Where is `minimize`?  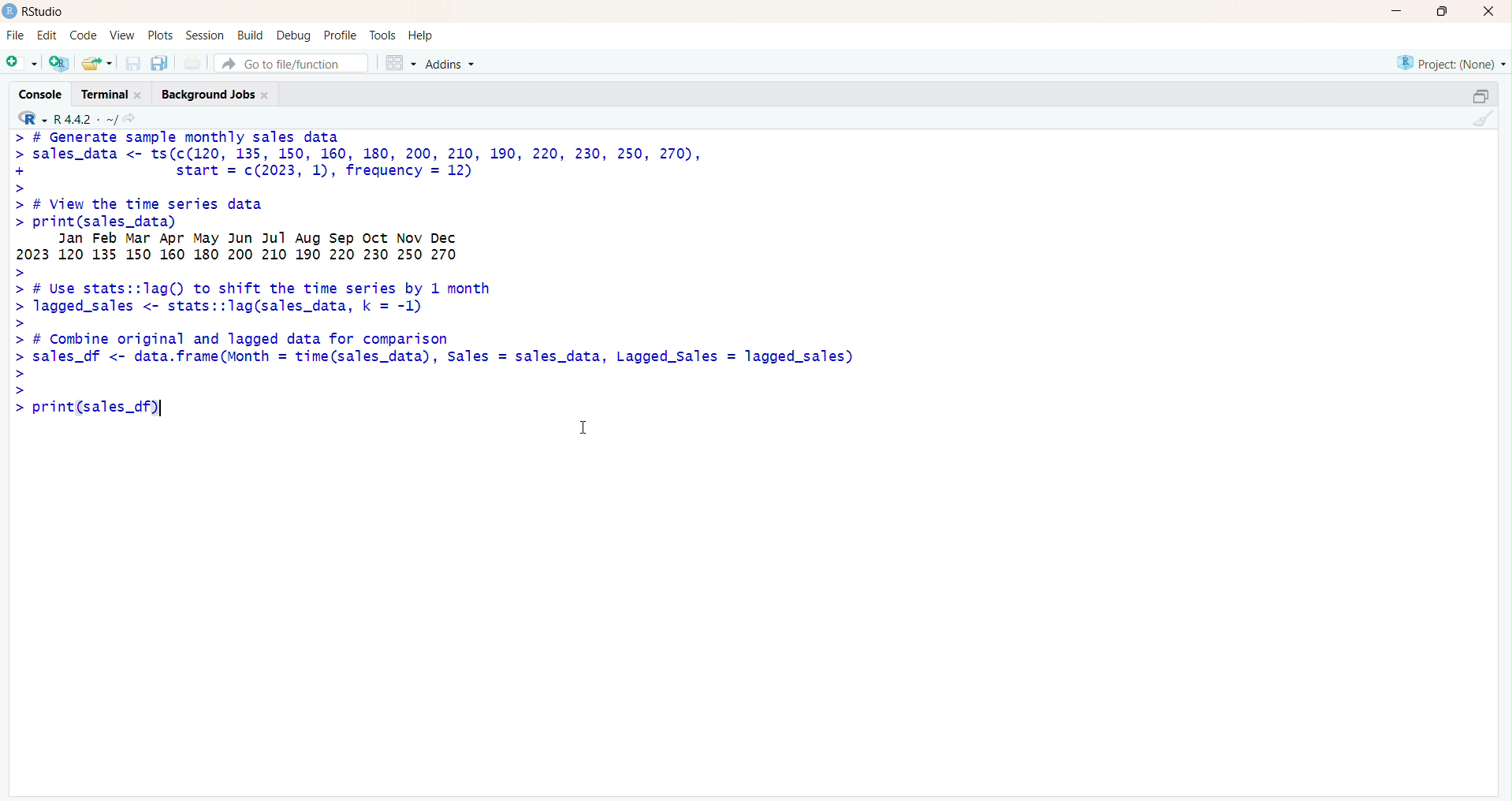 minimize is located at coordinates (1394, 12).